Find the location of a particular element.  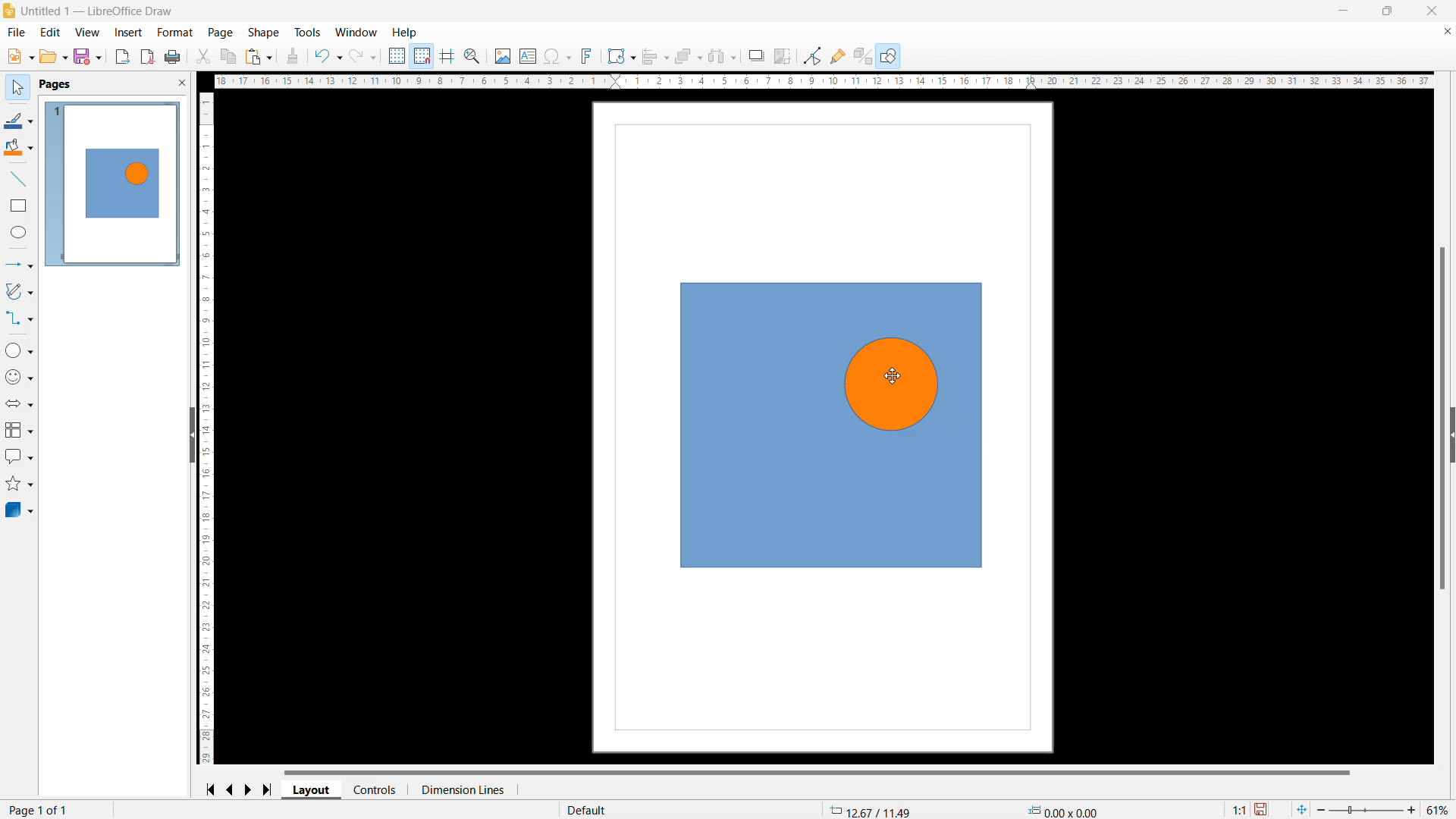

edit is located at coordinates (49, 32).